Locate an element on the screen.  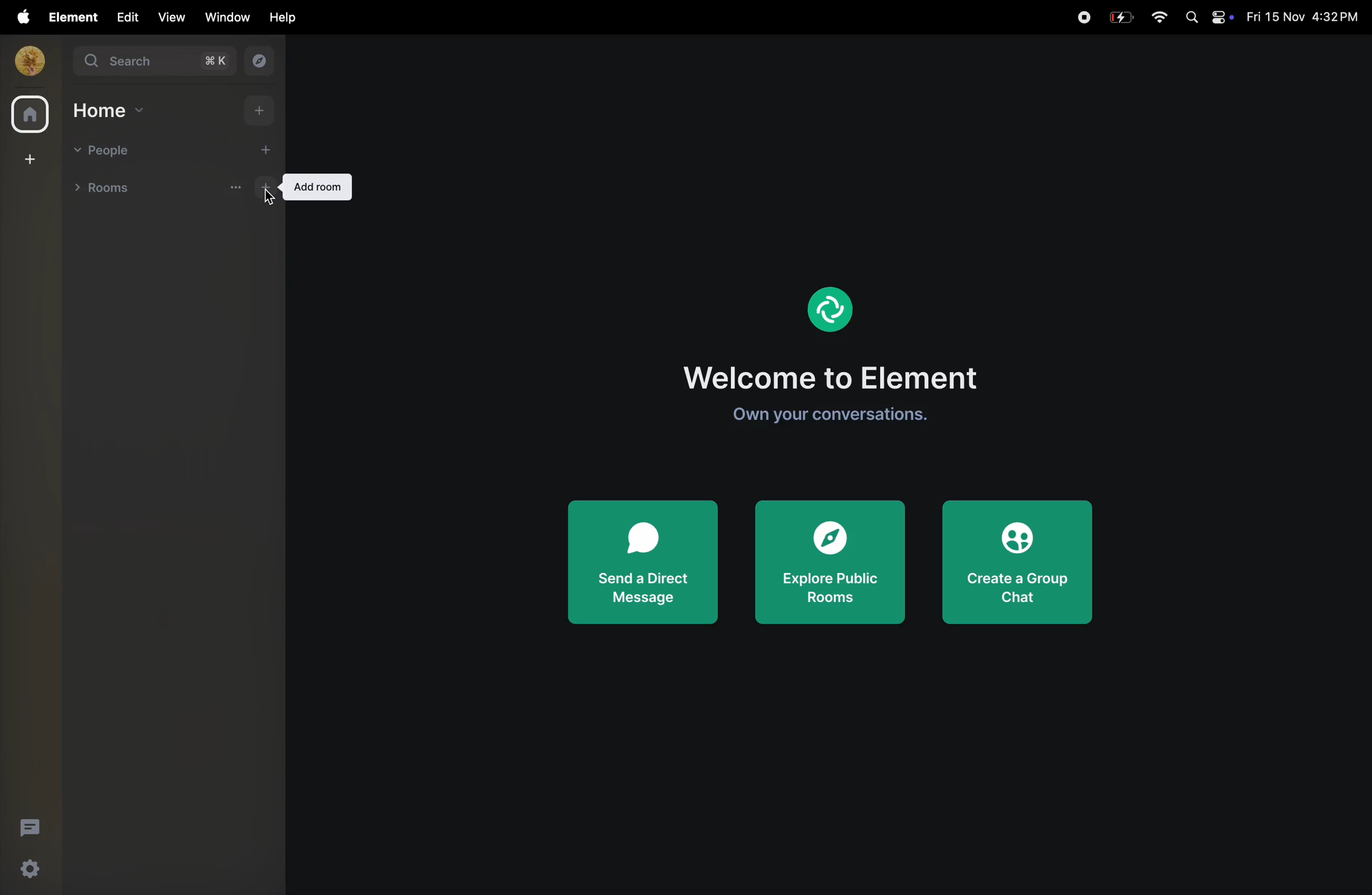
add is located at coordinates (255, 112).